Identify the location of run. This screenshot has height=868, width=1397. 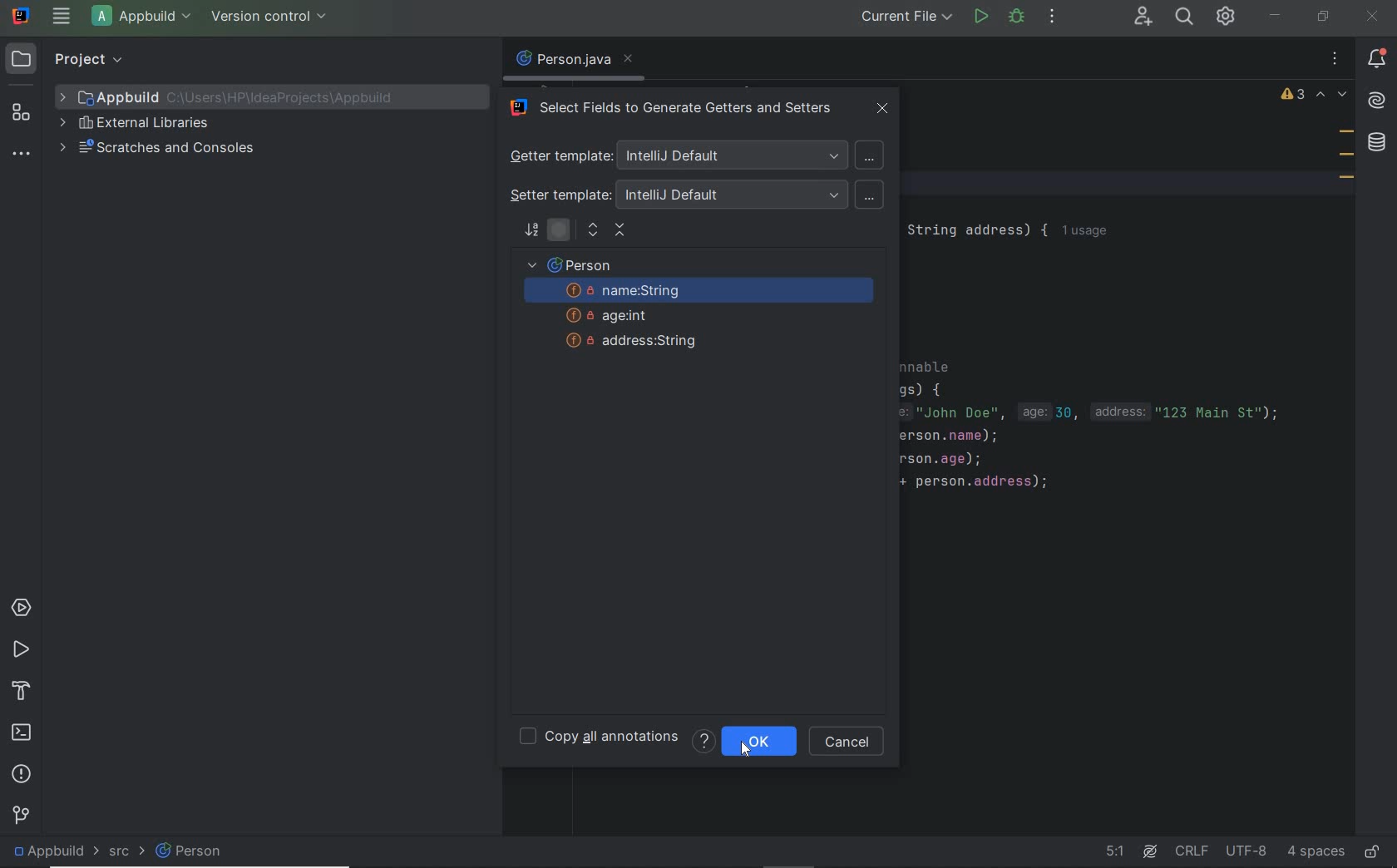
(19, 648).